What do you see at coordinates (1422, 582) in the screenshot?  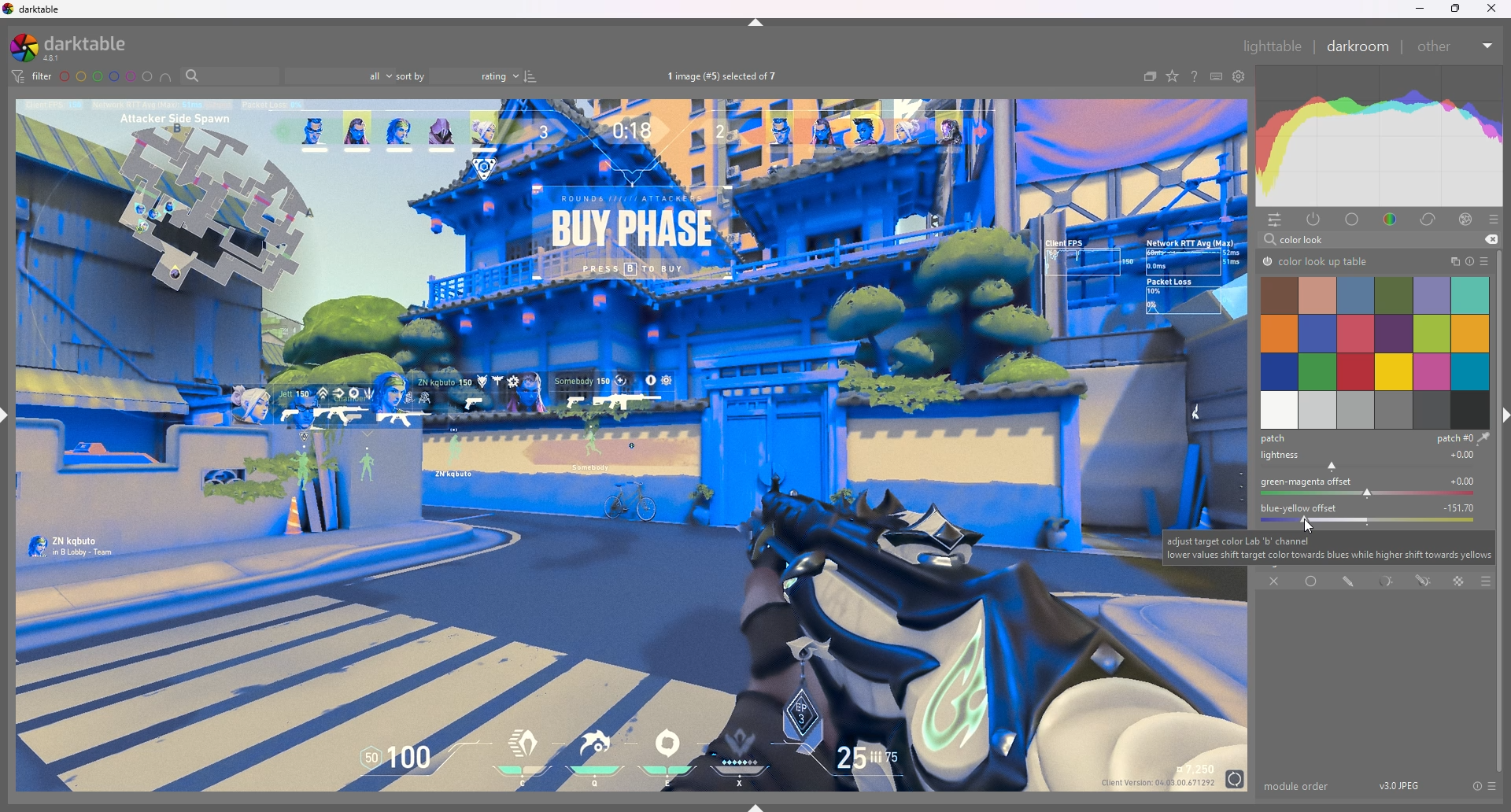 I see `drawn and parametric mask` at bounding box center [1422, 582].